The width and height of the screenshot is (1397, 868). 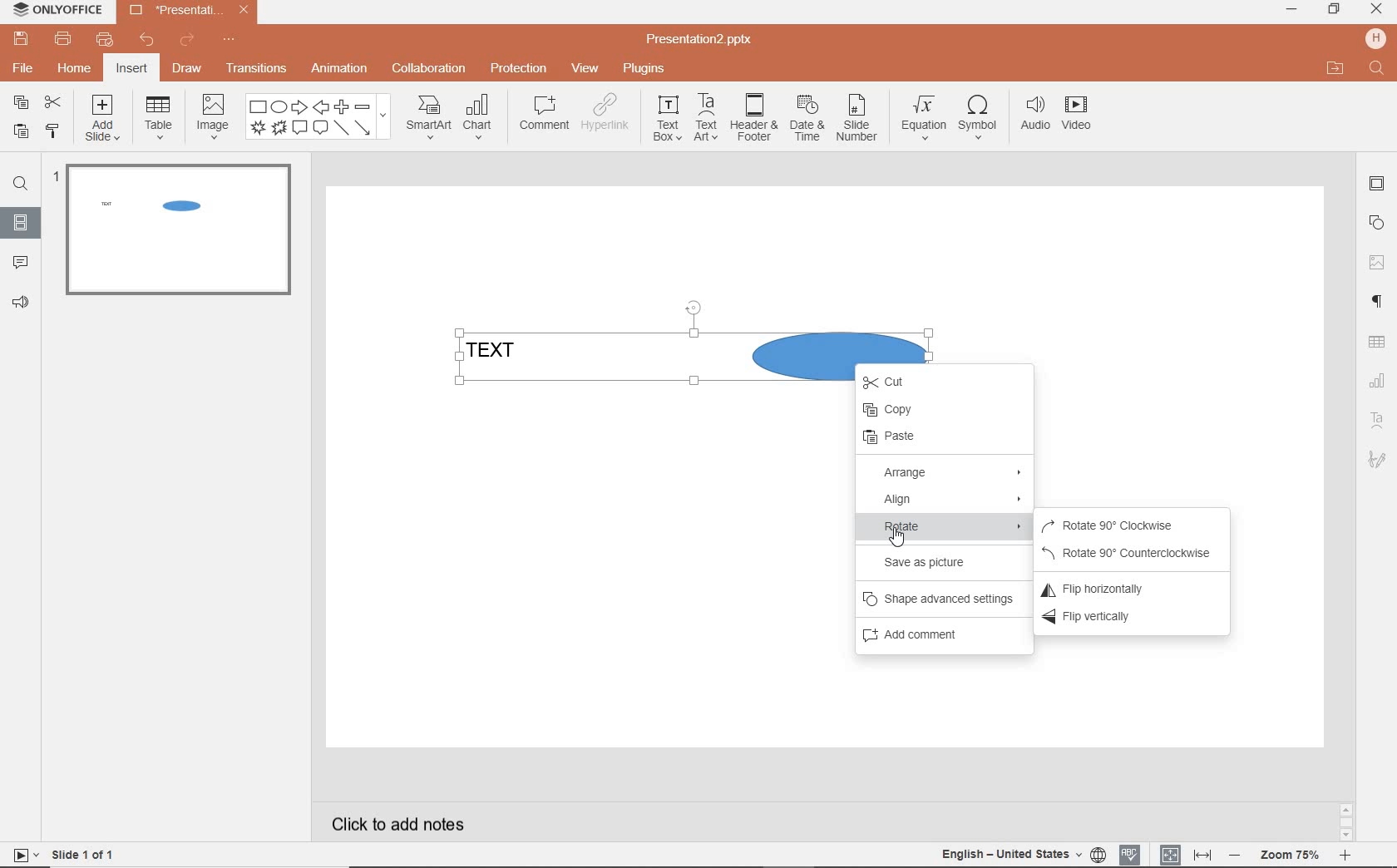 I want to click on shape, so click(x=318, y=118).